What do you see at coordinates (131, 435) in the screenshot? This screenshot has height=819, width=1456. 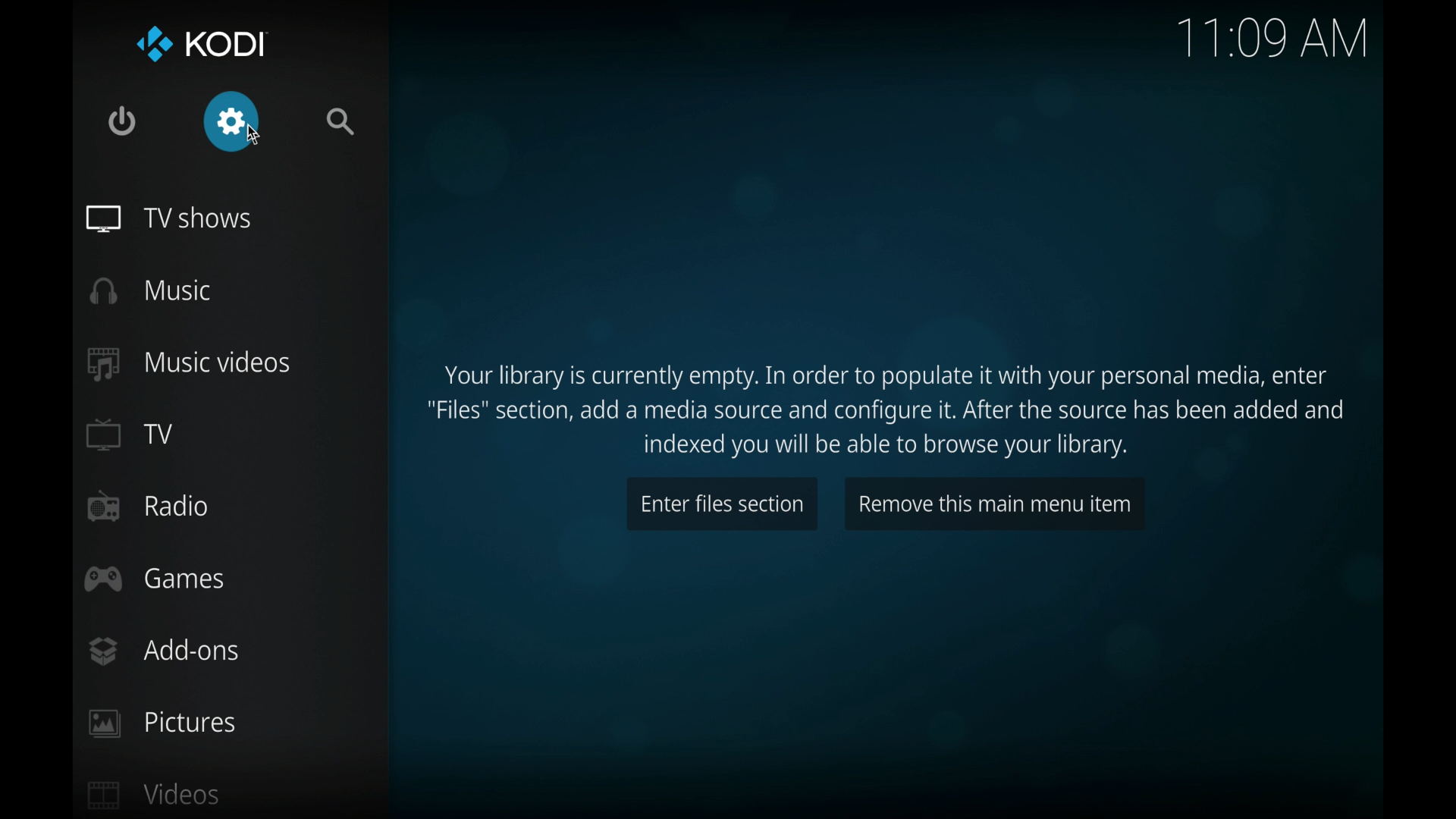 I see `TV` at bounding box center [131, 435].